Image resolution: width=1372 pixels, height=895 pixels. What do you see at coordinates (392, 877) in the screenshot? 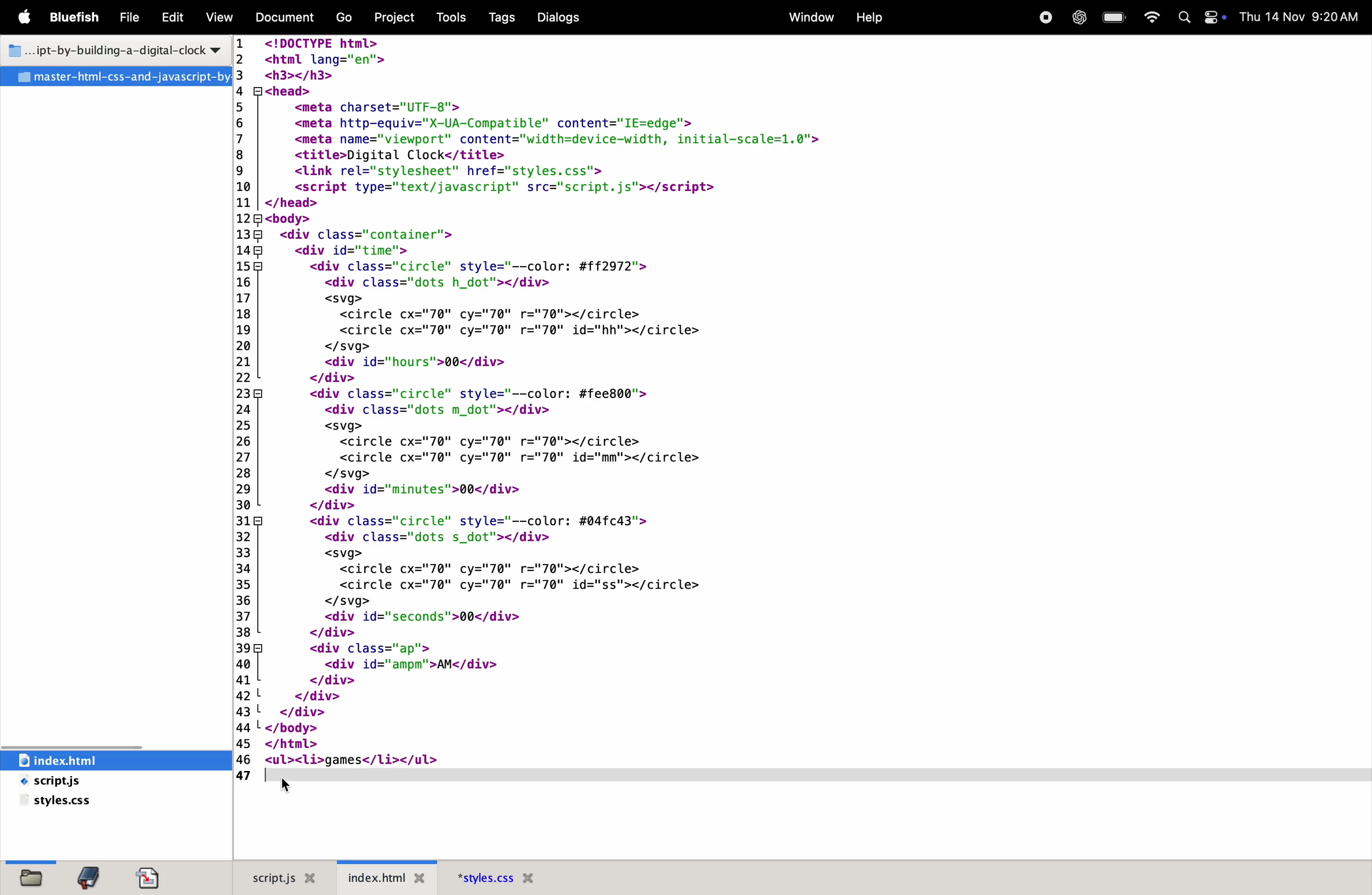
I see `index.html` at bounding box center [392, 877].